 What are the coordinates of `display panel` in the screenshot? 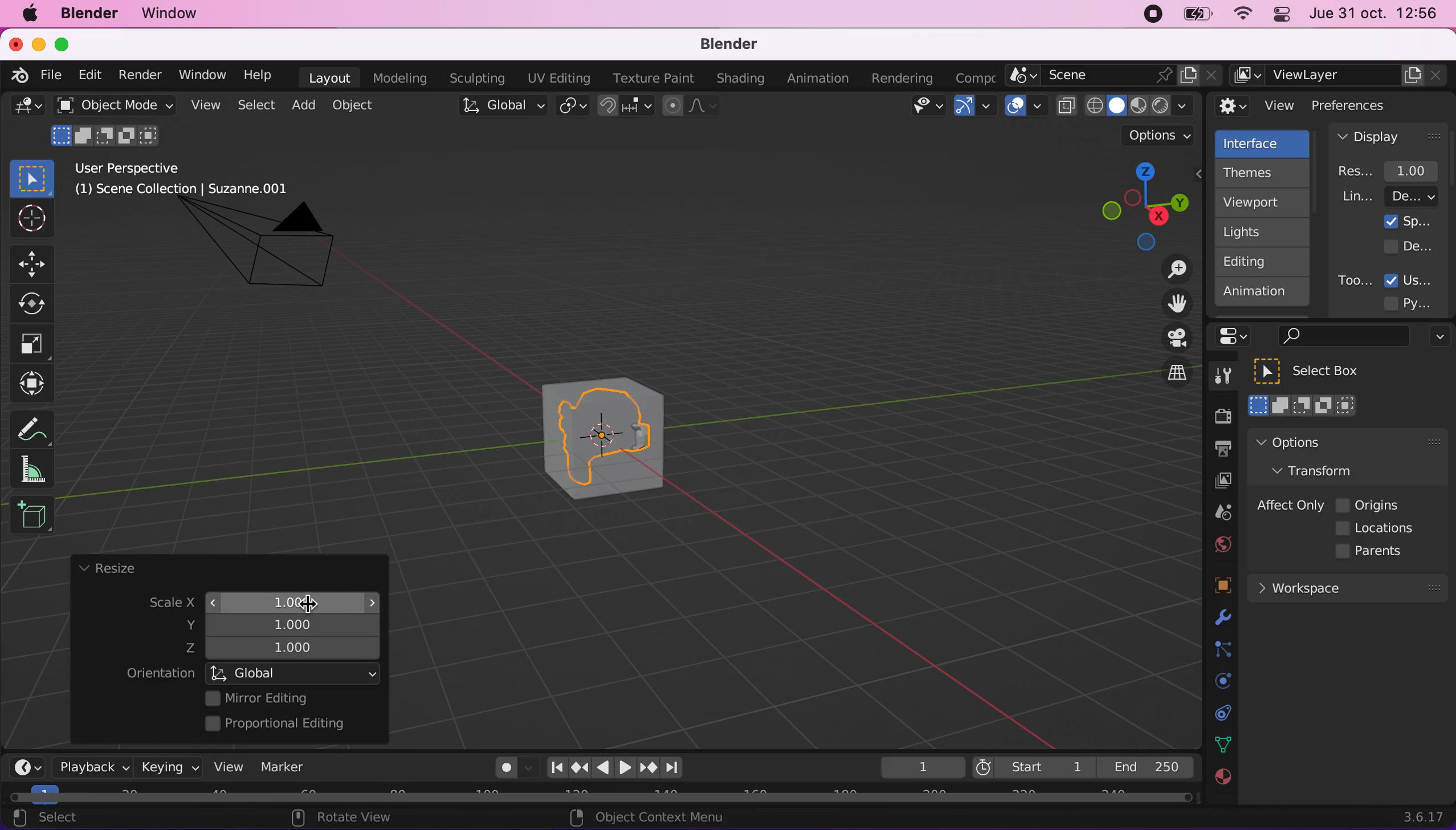 It's located at (1389, 136).